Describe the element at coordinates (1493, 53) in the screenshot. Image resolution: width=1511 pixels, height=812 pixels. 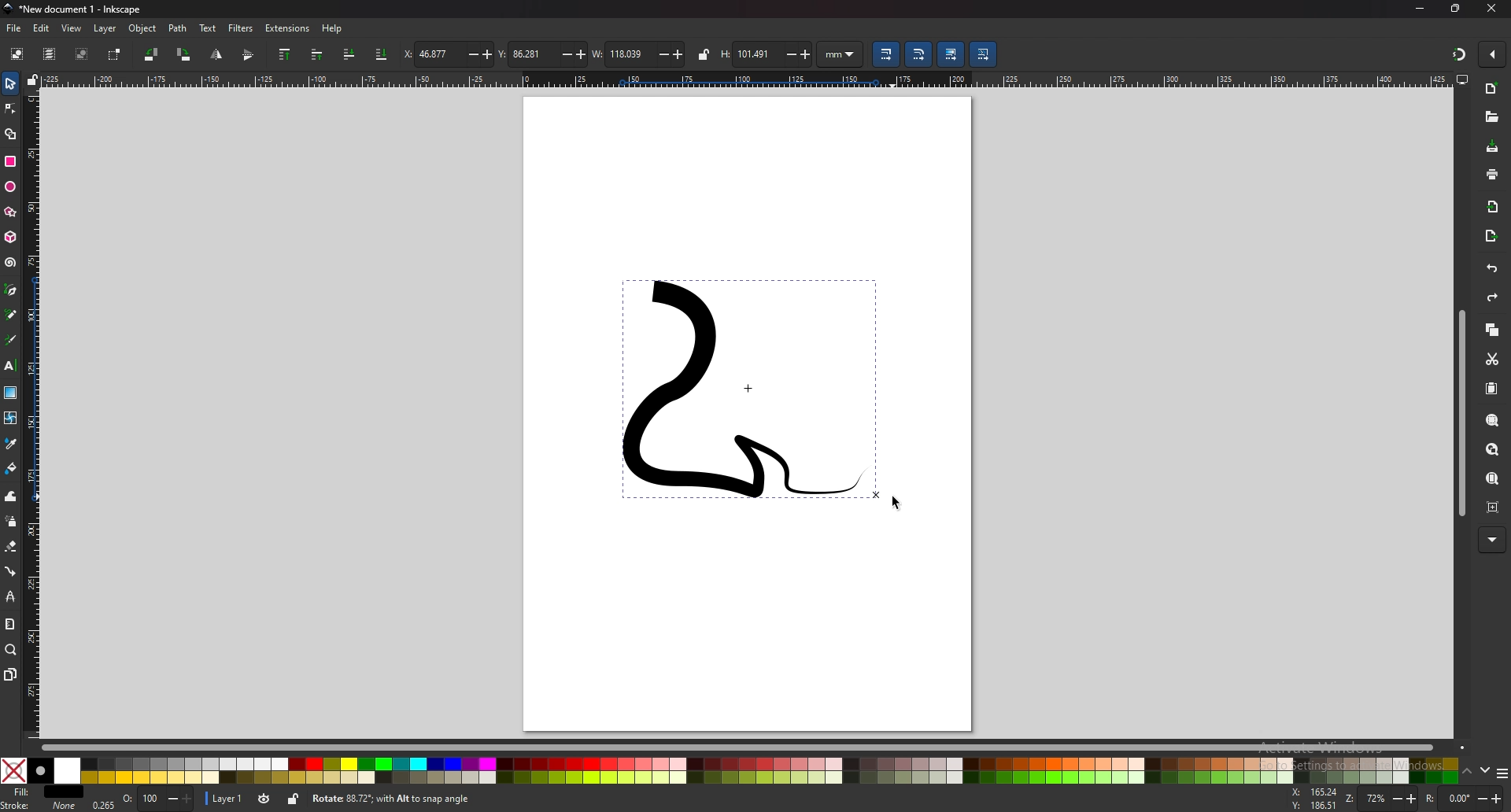
I see `enable snapping` at that location.